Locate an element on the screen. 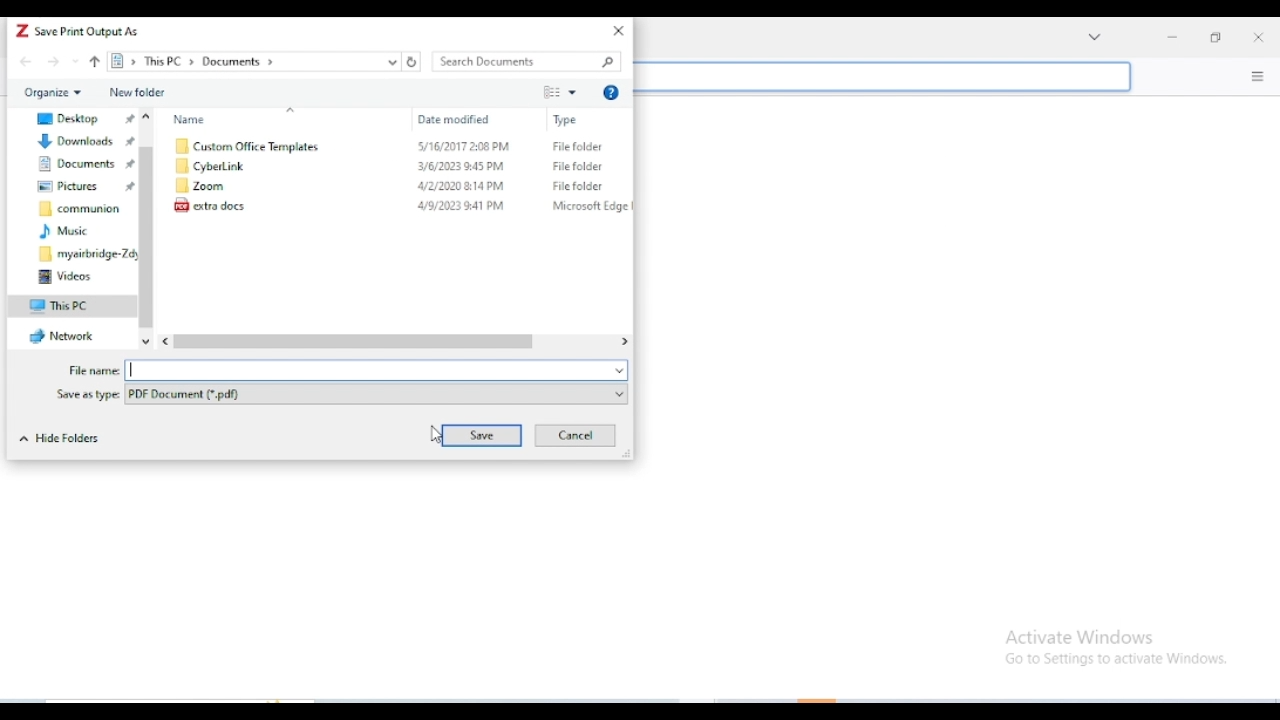  pinned desktop is located at coordinates (85, 118).